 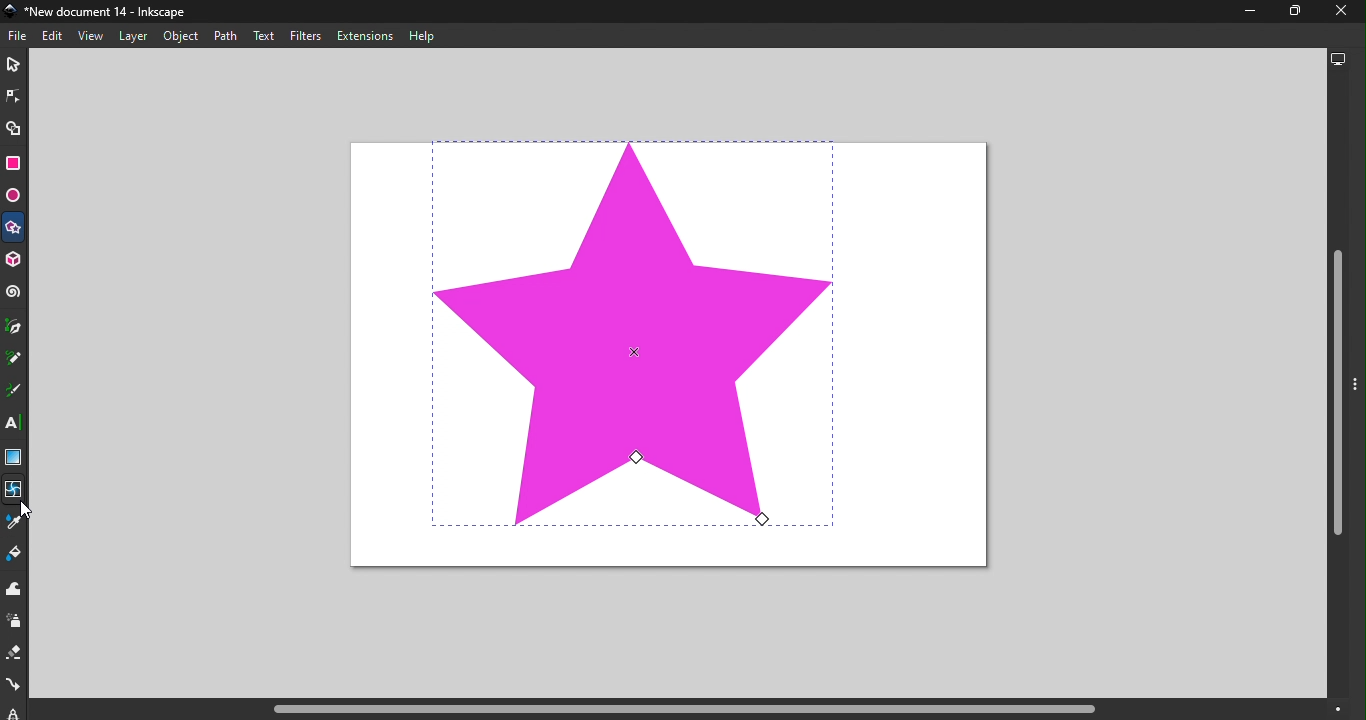 I want to click on 3D box tool, so click(x=15, y=262).